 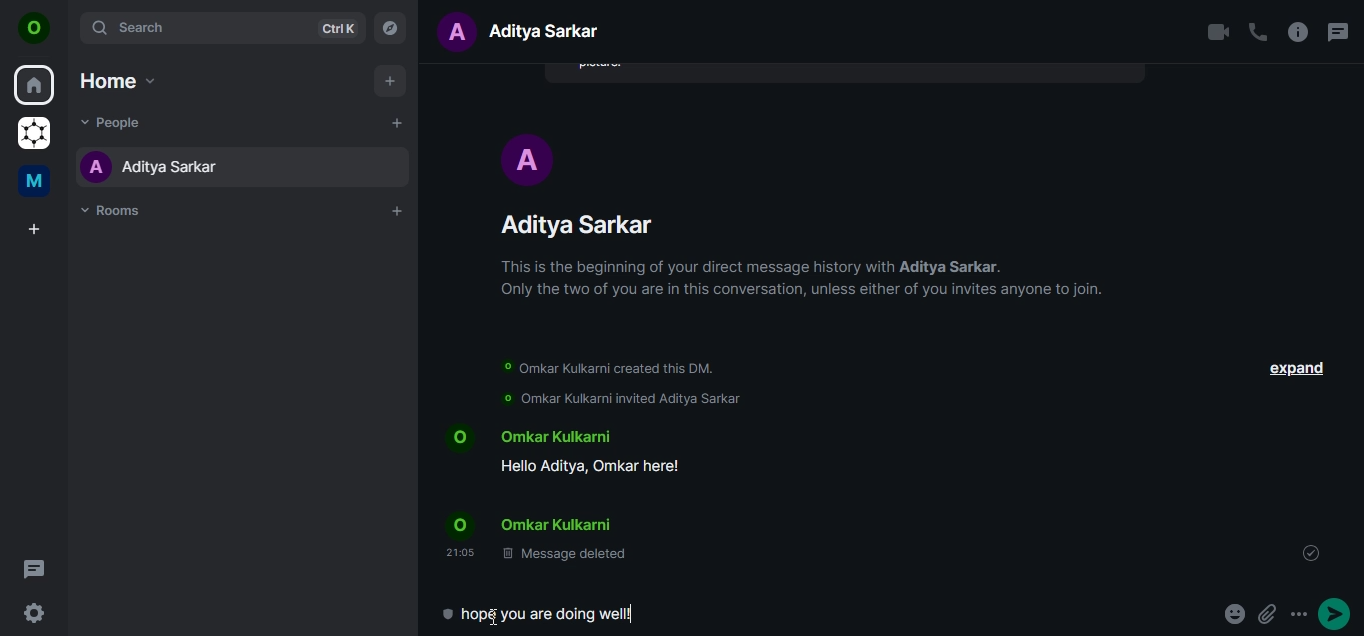 What do you see at coordinates (391, 29) in the screenshot?
I see `explore rooms` at bounding box center [391, 29].